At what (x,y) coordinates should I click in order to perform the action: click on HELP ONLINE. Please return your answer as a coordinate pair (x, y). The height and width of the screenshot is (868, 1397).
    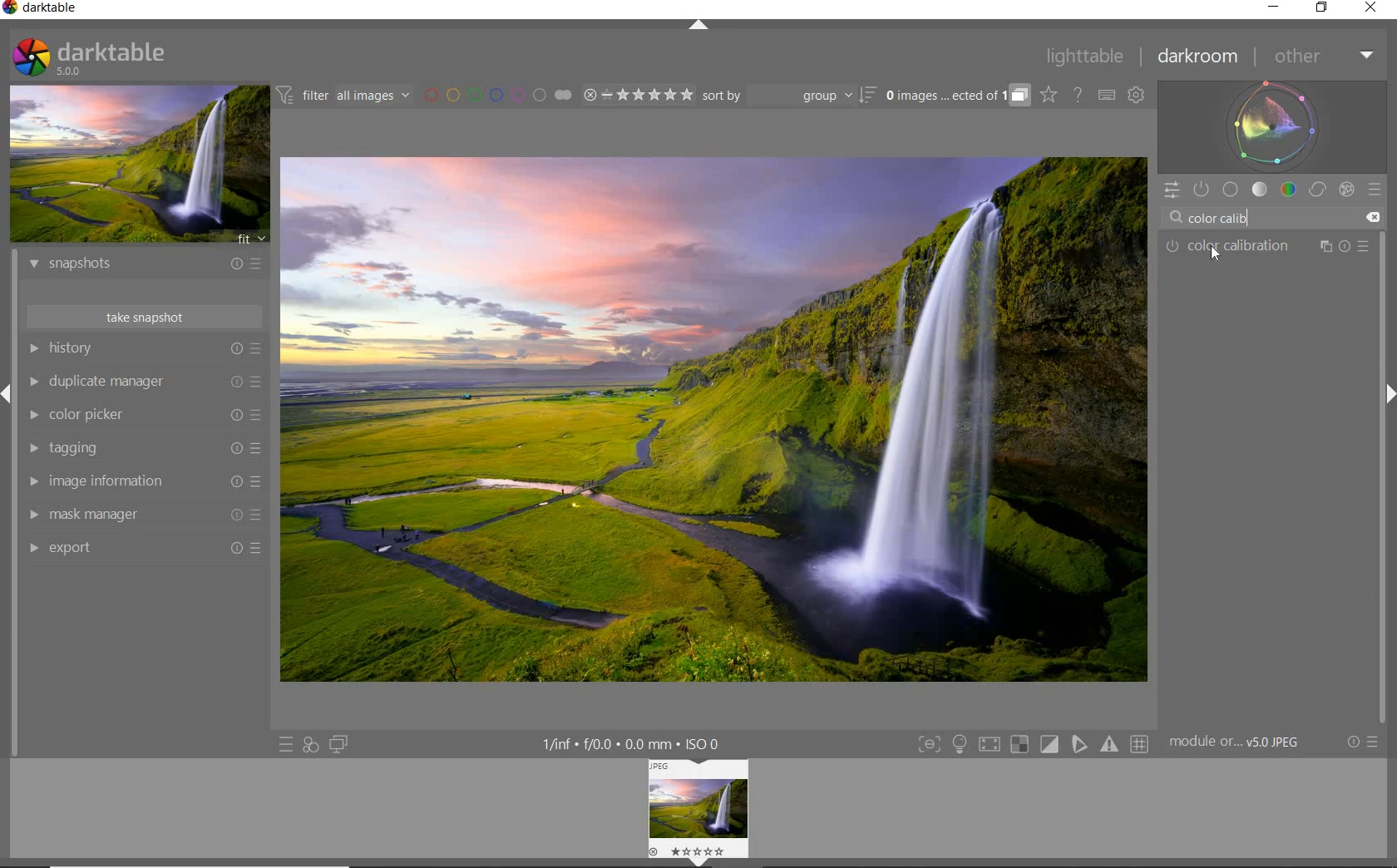
    Looking at the image, I should click on (1078, 95).